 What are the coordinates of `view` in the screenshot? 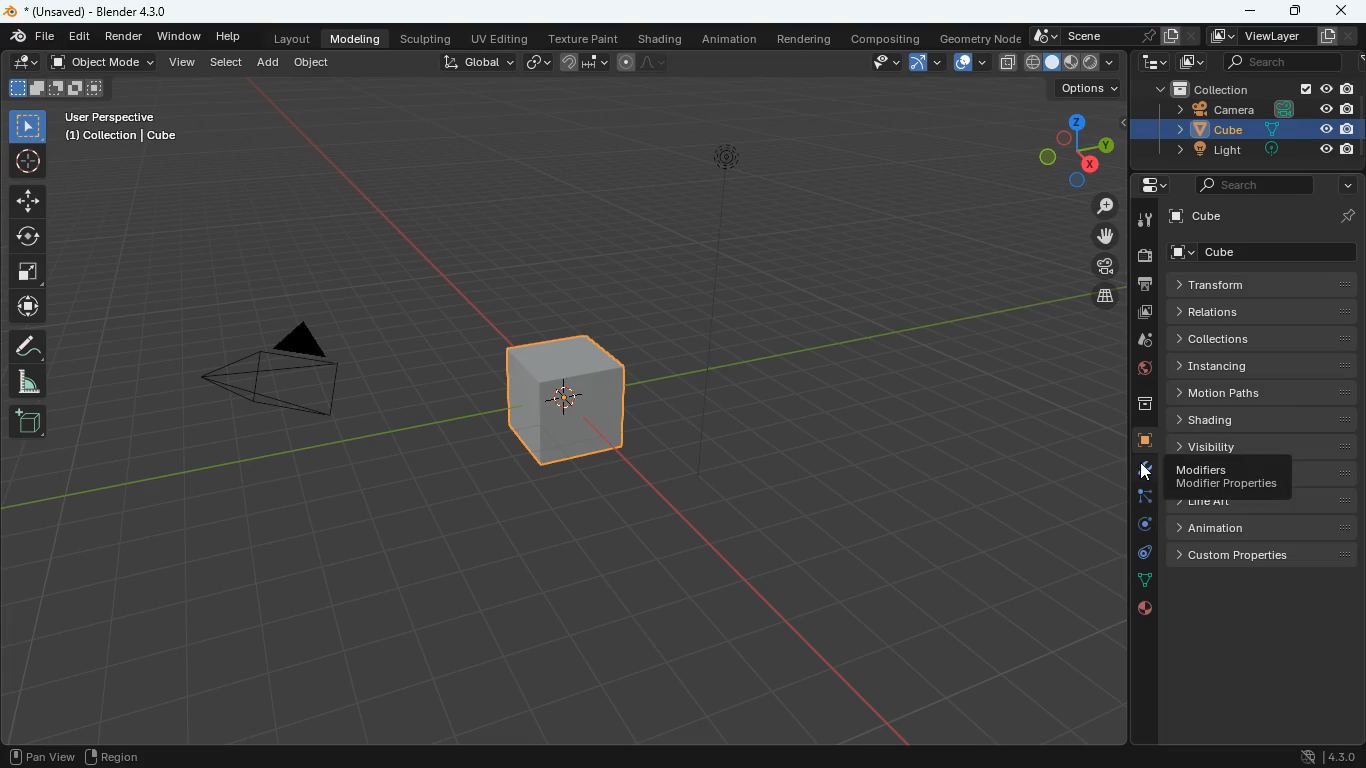 It's located at (184, 63).